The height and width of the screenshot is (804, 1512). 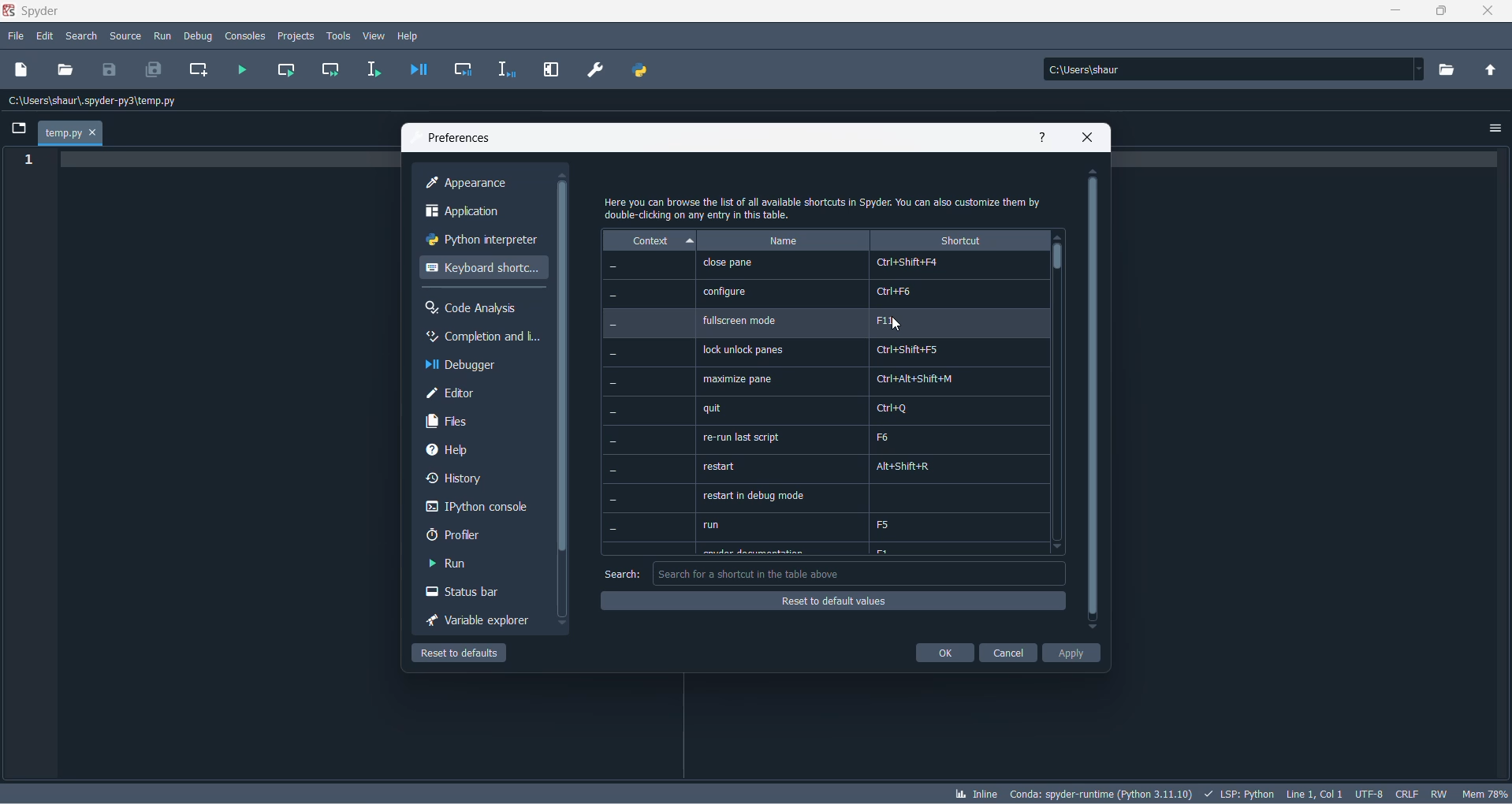 What do you see at coordinates (415, 71) in the screenshot?
I see `debug file` at bounding box center [415, 71].